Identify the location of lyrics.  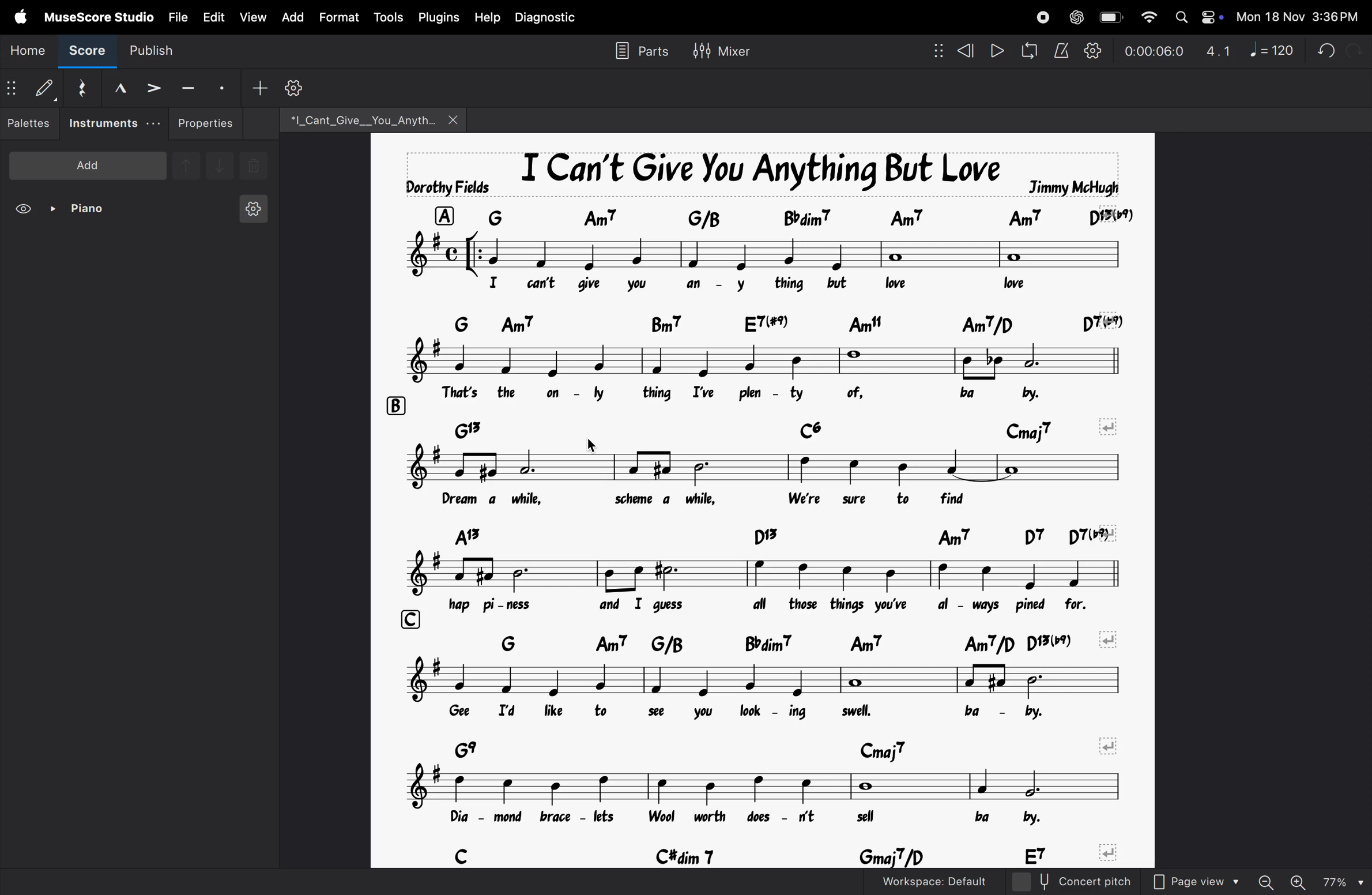
(787, 717).